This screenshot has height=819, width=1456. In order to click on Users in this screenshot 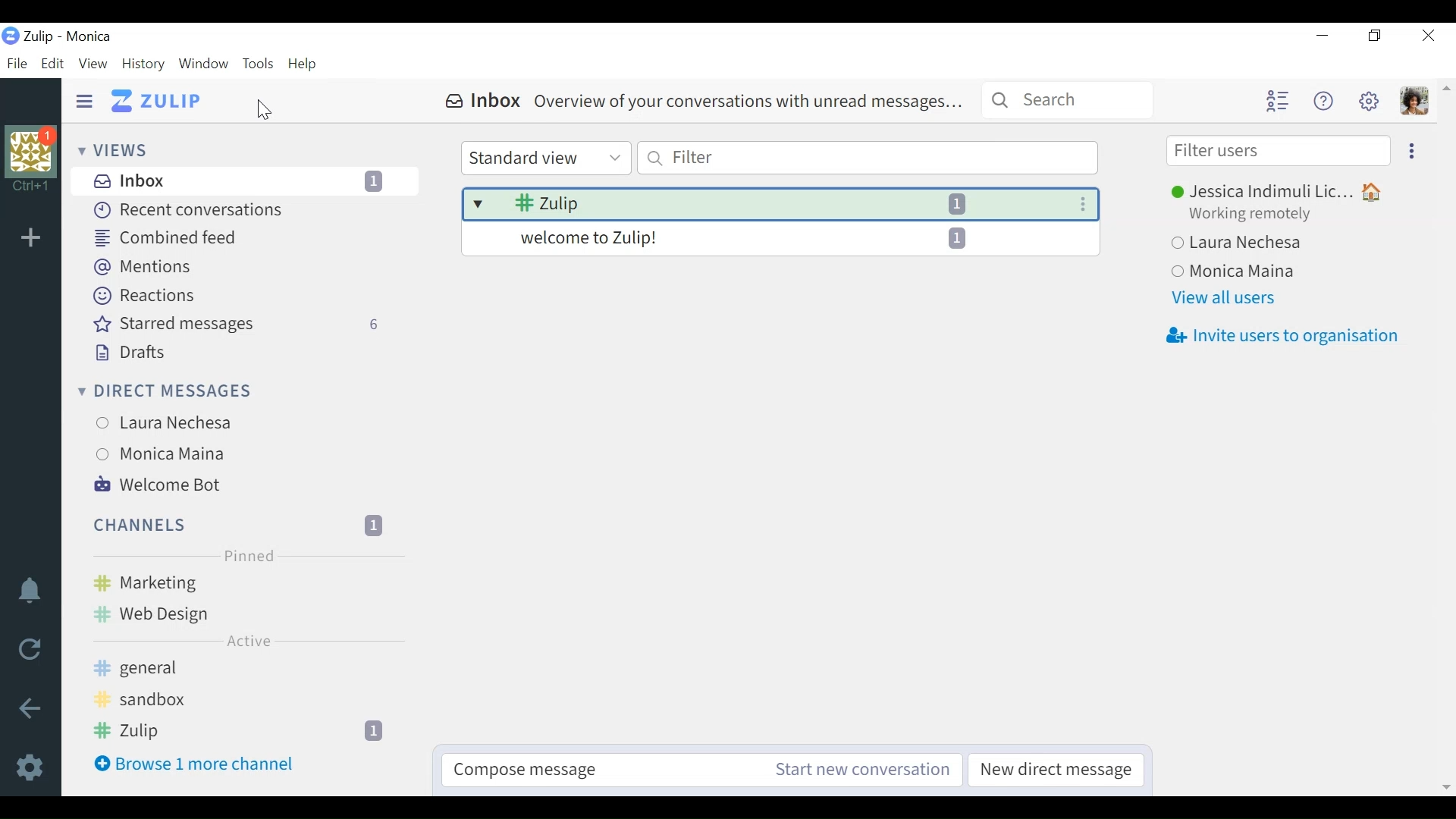, I will do `click(1279, 203)`.